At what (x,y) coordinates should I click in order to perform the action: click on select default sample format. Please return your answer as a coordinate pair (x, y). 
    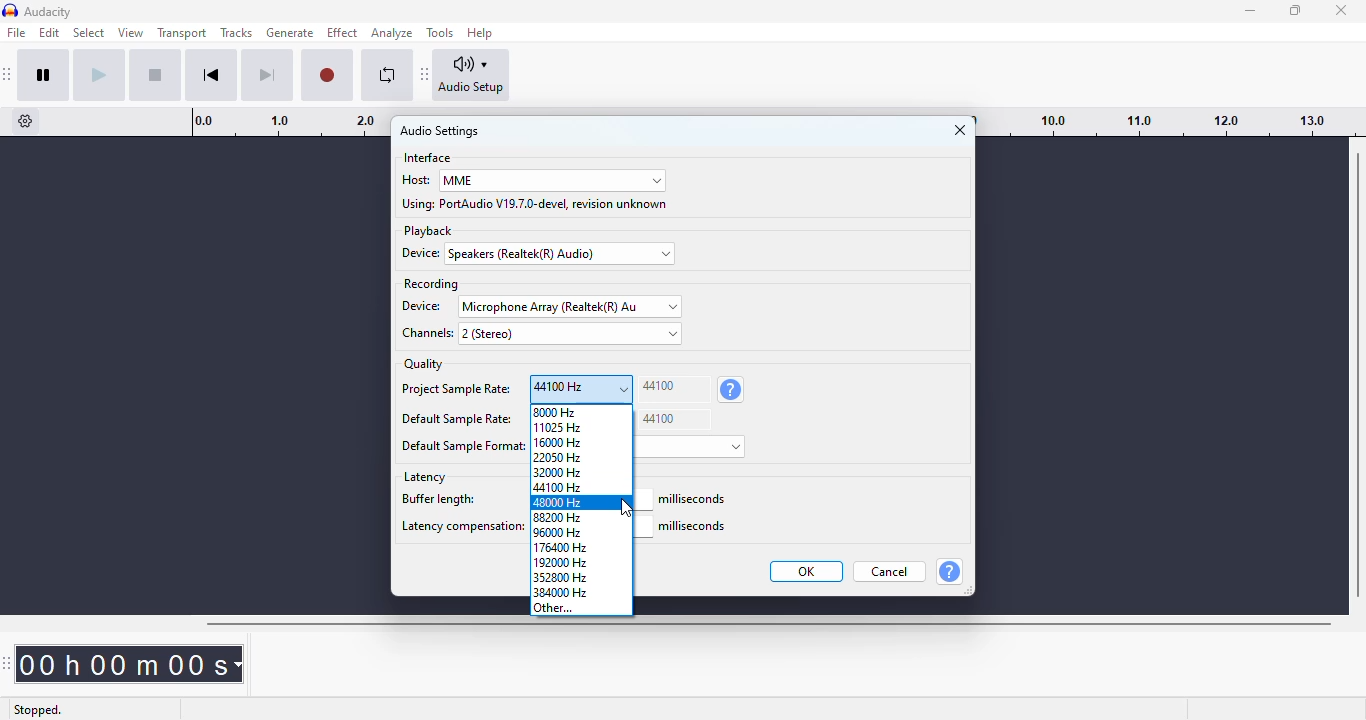
    Looking at the image, I should click on (692, 446).